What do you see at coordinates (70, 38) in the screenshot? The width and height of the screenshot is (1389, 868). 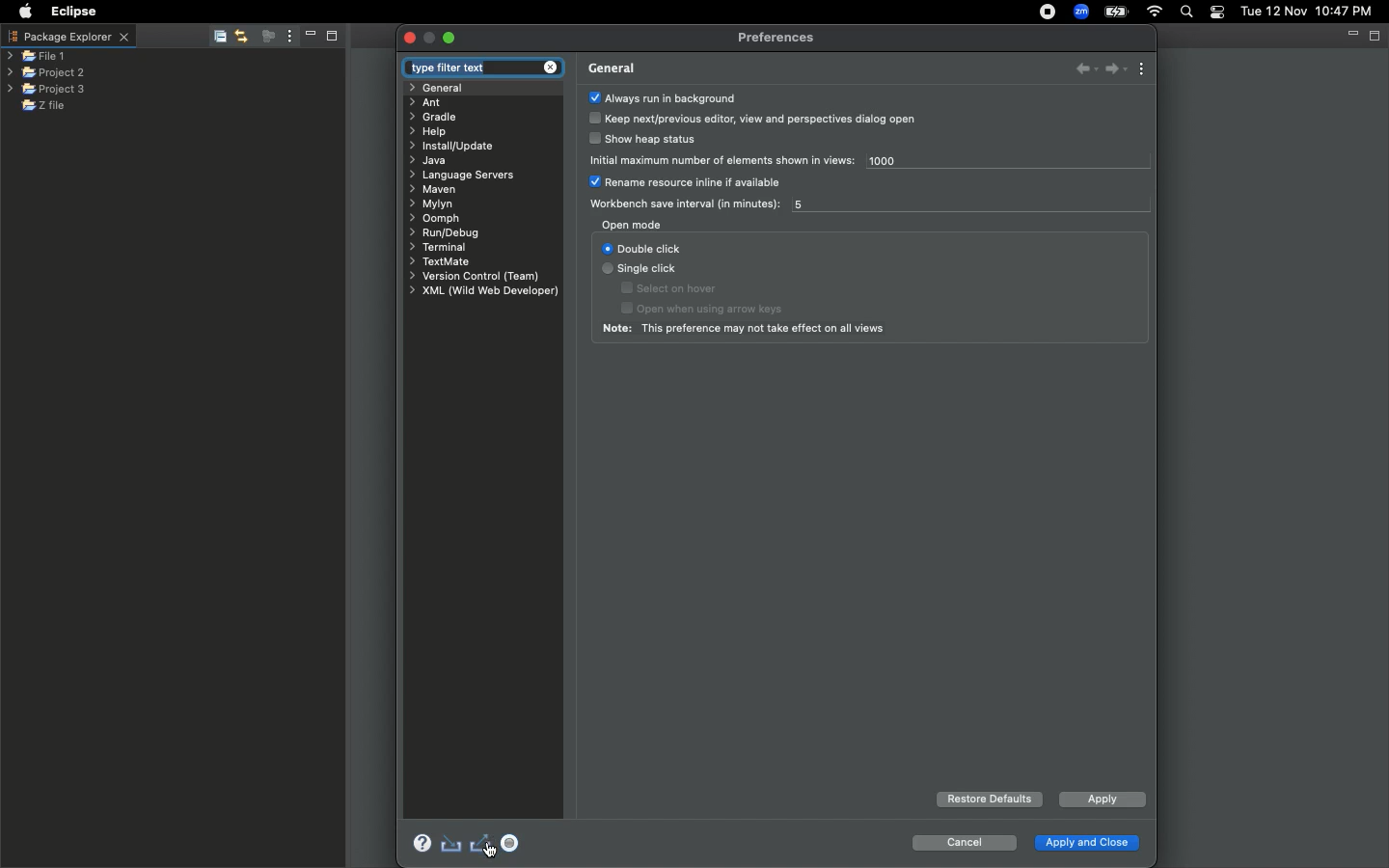 I see `Package explorer` at bounding box center [70, 38].